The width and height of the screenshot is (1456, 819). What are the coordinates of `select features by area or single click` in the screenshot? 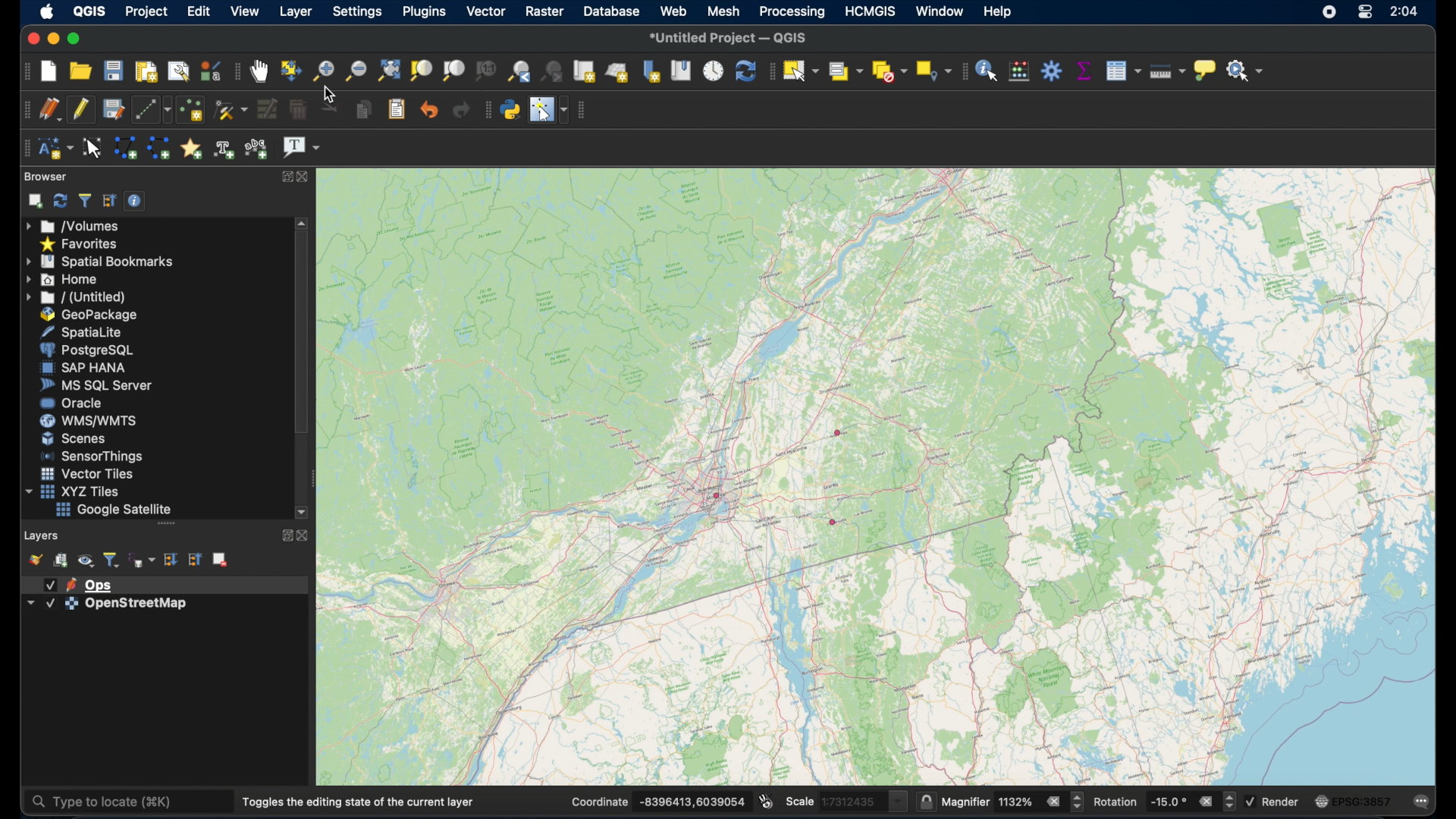 It's located at (799, 69).